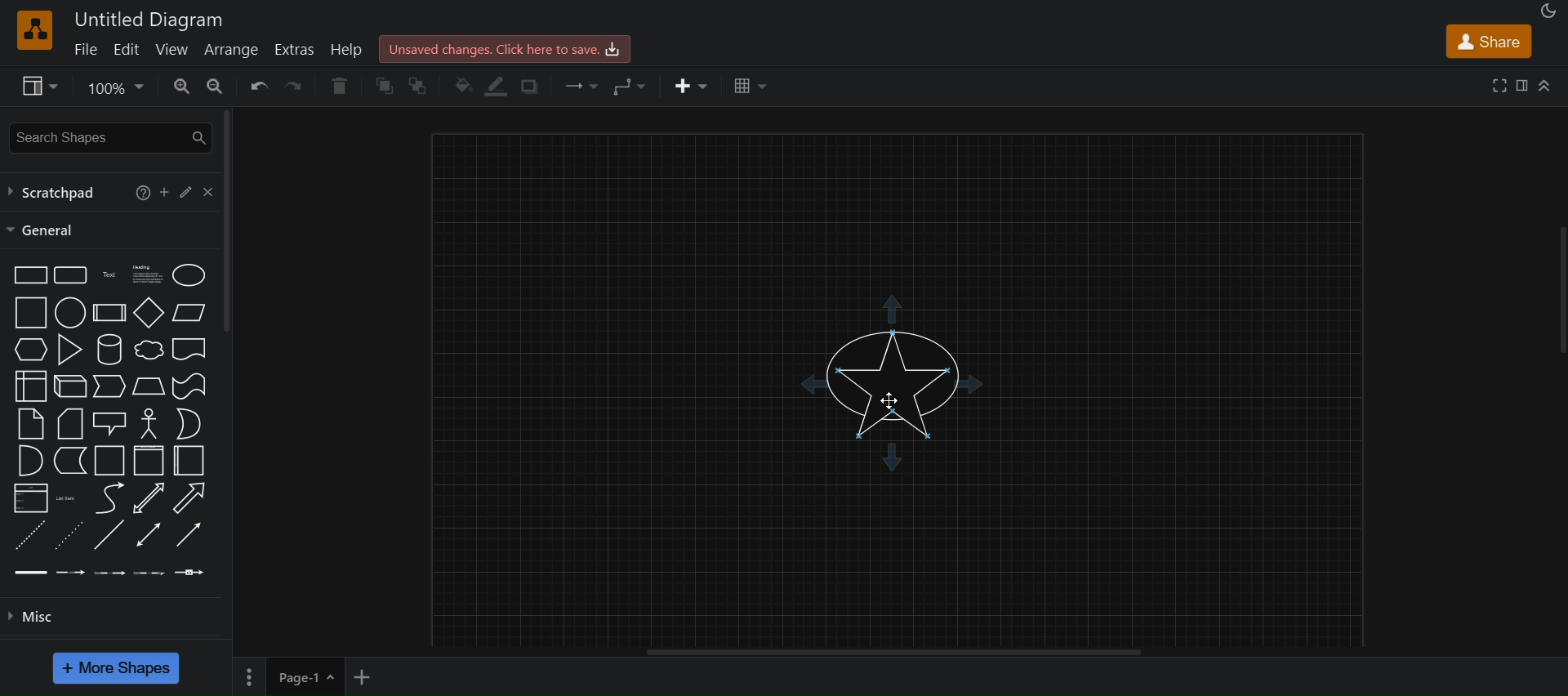  Describe the element at coordinates (127, 49) in the screenshot. I see `edit` at that location.